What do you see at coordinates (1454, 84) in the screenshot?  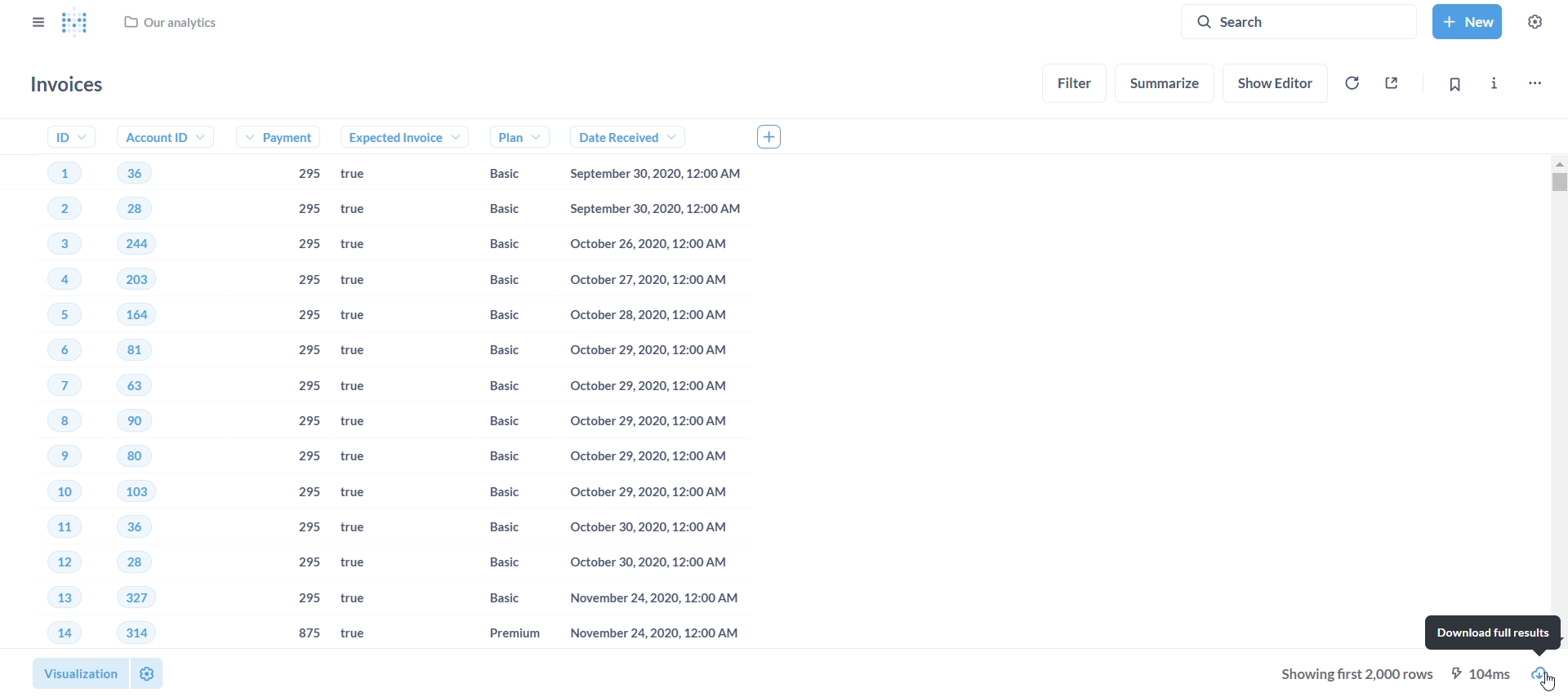 I see `bookmark` at bounding box center [1454, 84].